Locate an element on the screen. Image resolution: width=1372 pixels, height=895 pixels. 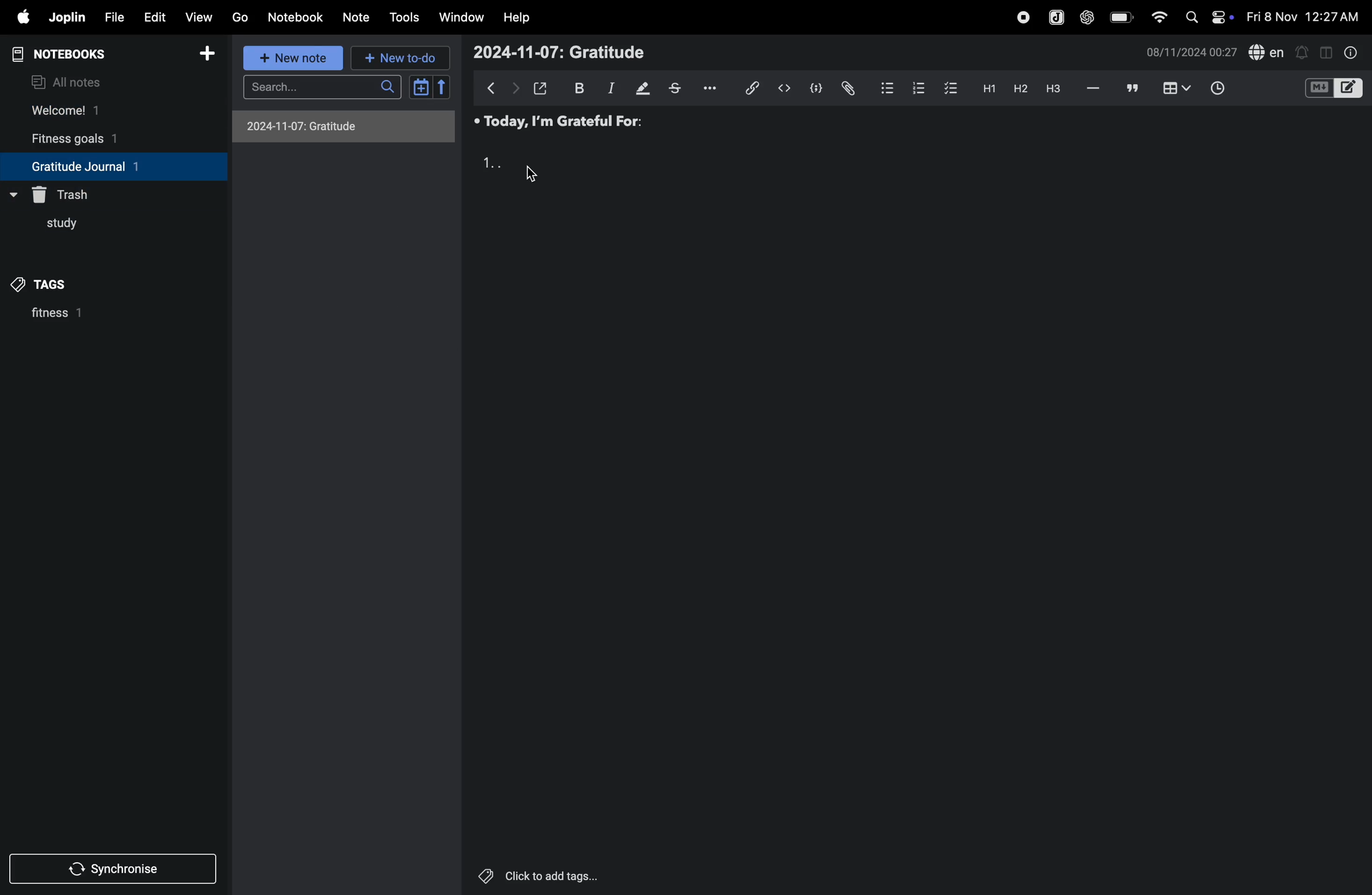
note book is located at coordinates (80, 54).